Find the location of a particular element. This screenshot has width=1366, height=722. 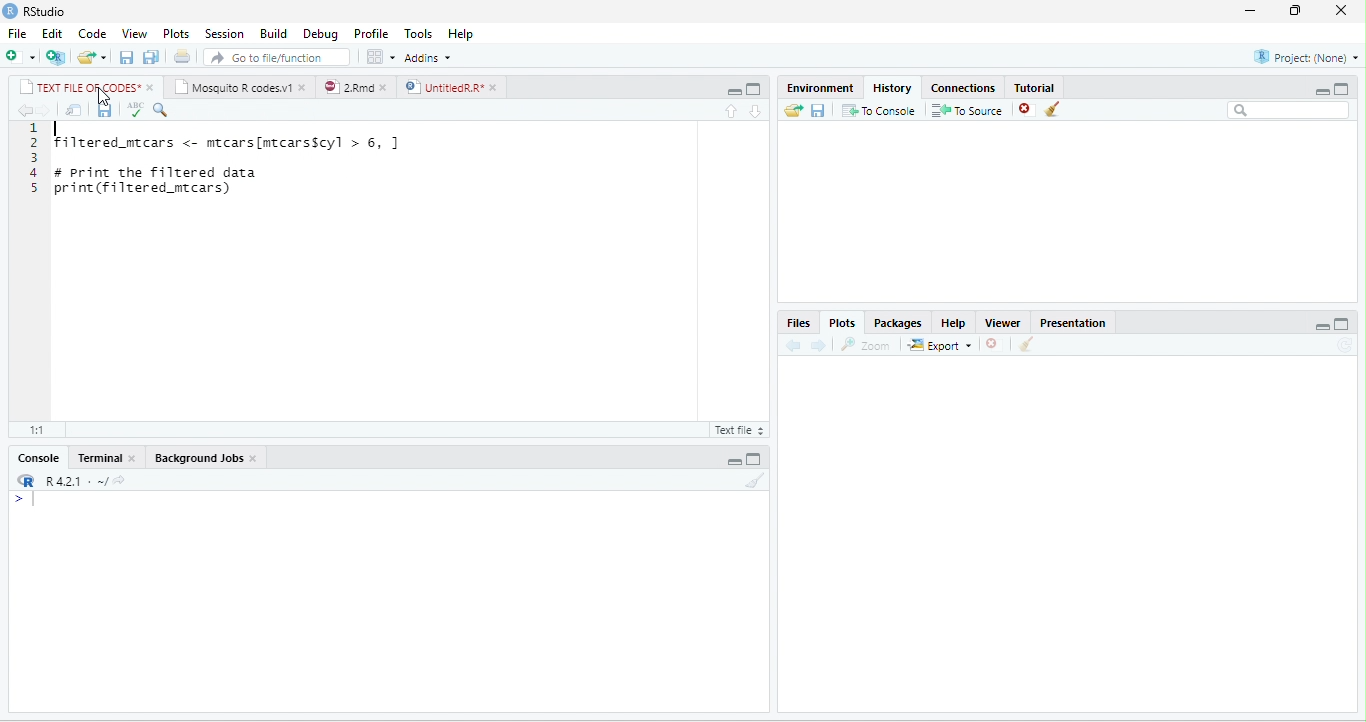

print is located at coordinates (182, 56).